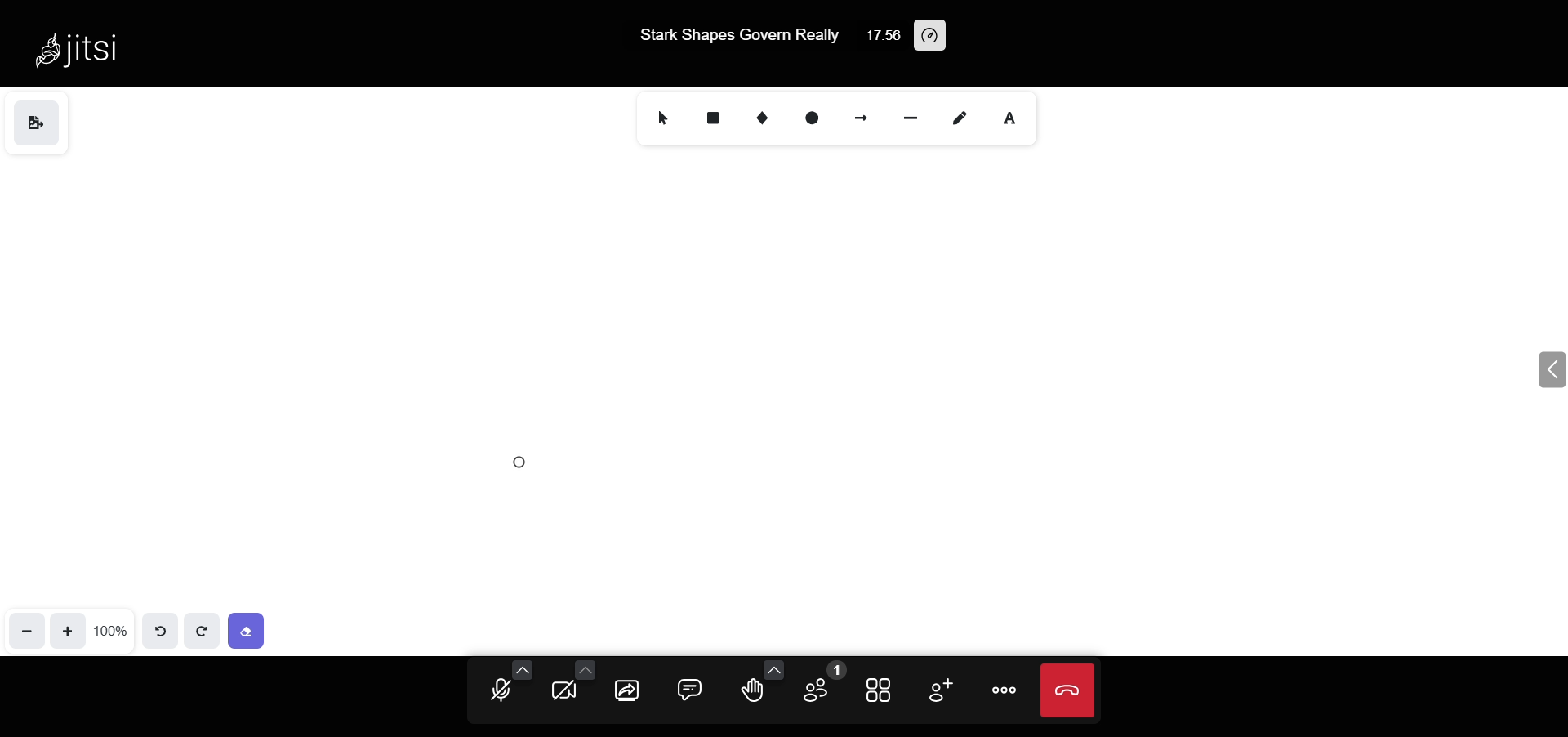  Describe the element at coordinates (496, 692) in the screenshot. I see `microphone` at that location.